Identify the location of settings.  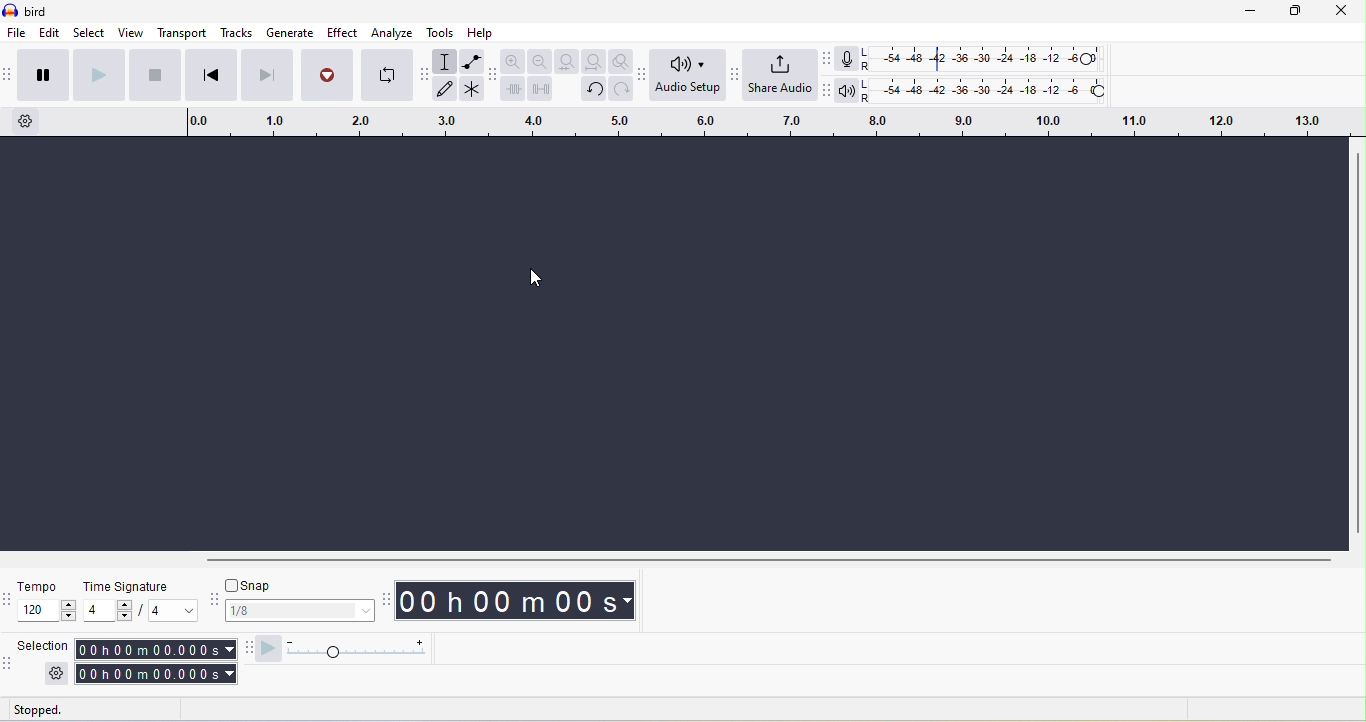
(51, 673).